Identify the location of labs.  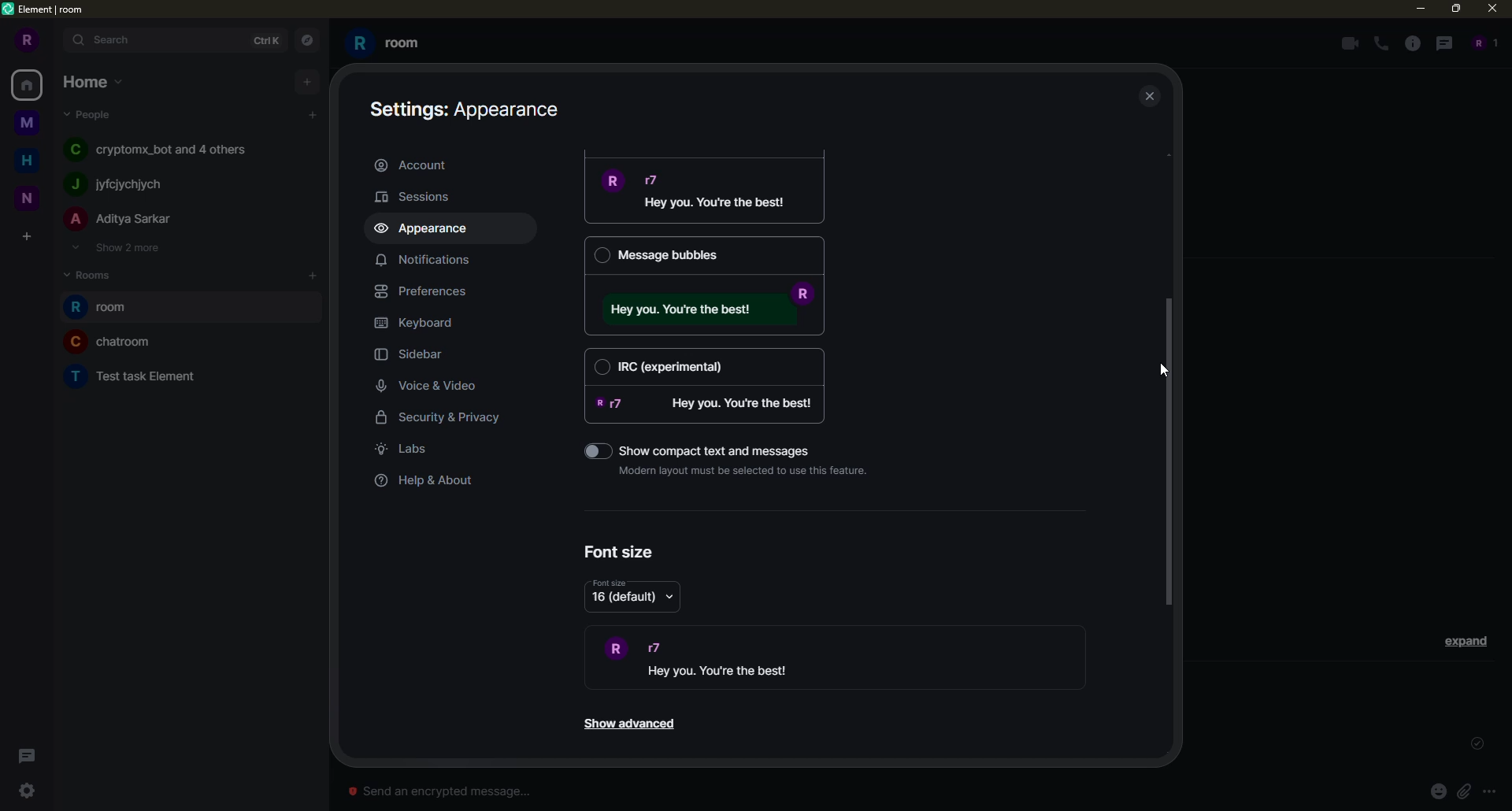
(406, 449).